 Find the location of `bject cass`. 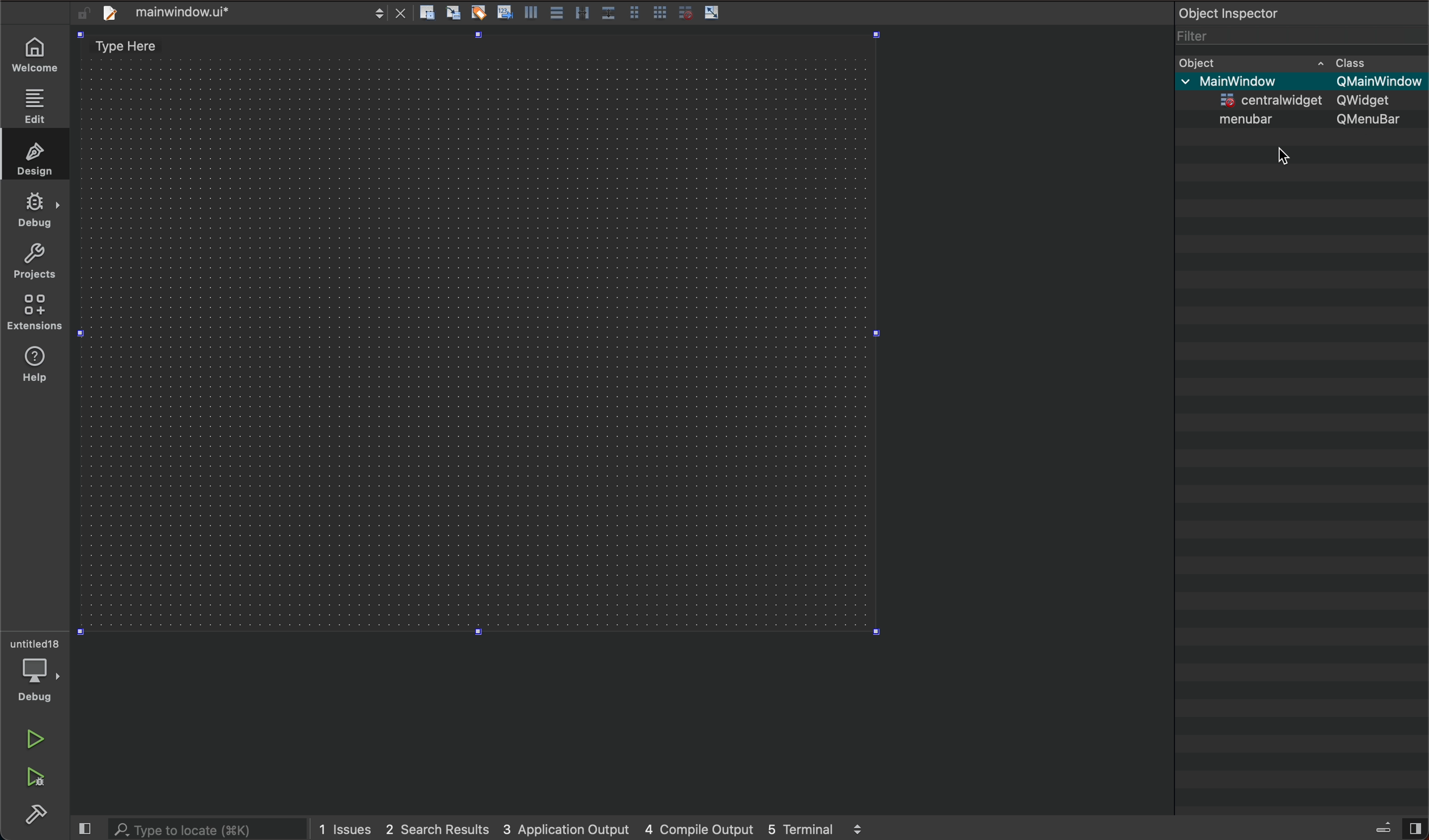

bject cass is located at coordinates (1266, 62).